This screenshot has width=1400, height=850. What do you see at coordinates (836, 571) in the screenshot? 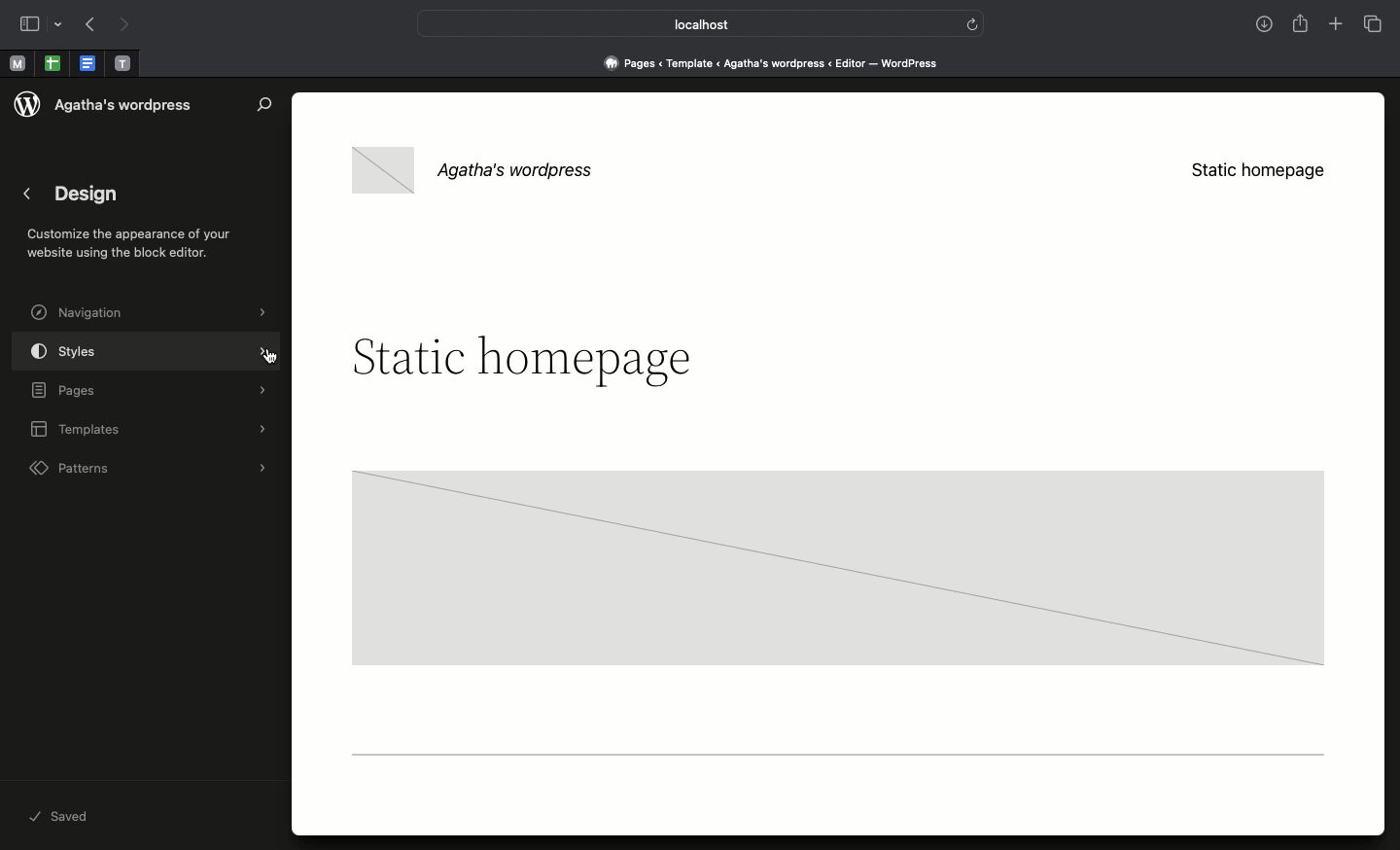
I see `Block` at bounding box center [836, 571].